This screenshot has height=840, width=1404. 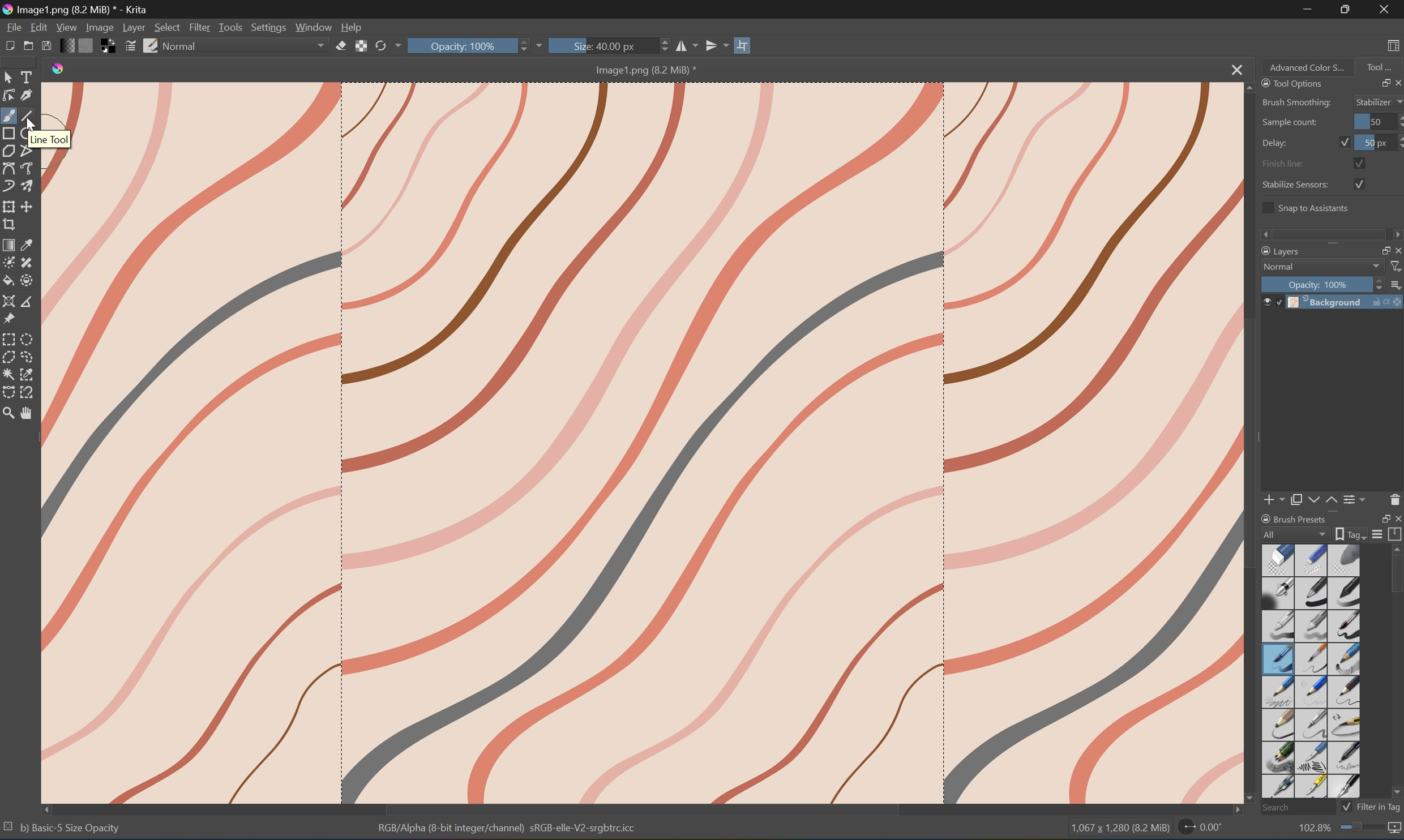 What do you see at coordinates (10, 76) in the screenshot?
I see `Select shapes tools` at bounding box center [10, 76].